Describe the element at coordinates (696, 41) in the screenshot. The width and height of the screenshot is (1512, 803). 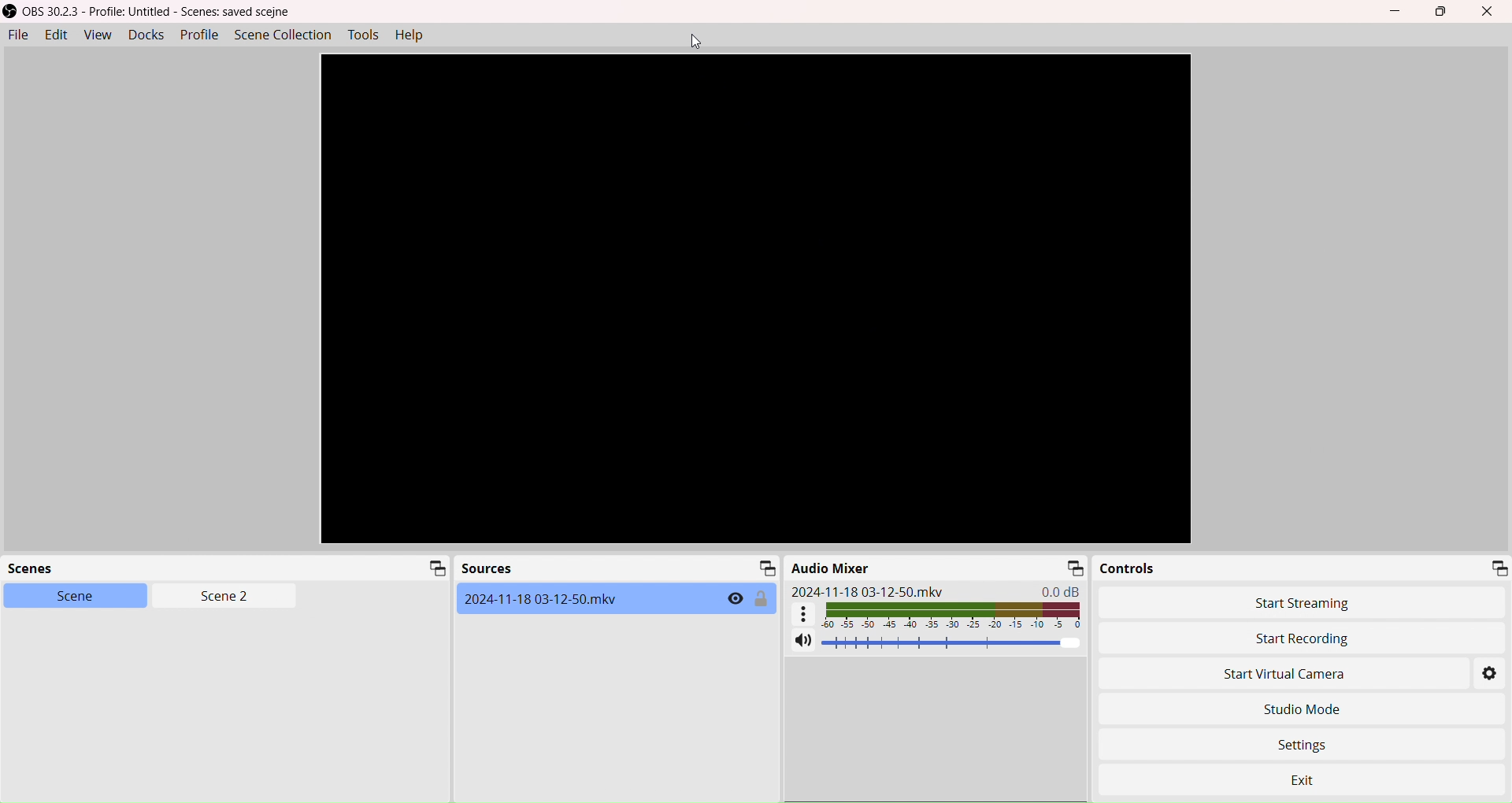
I see `Cursor` at that location.